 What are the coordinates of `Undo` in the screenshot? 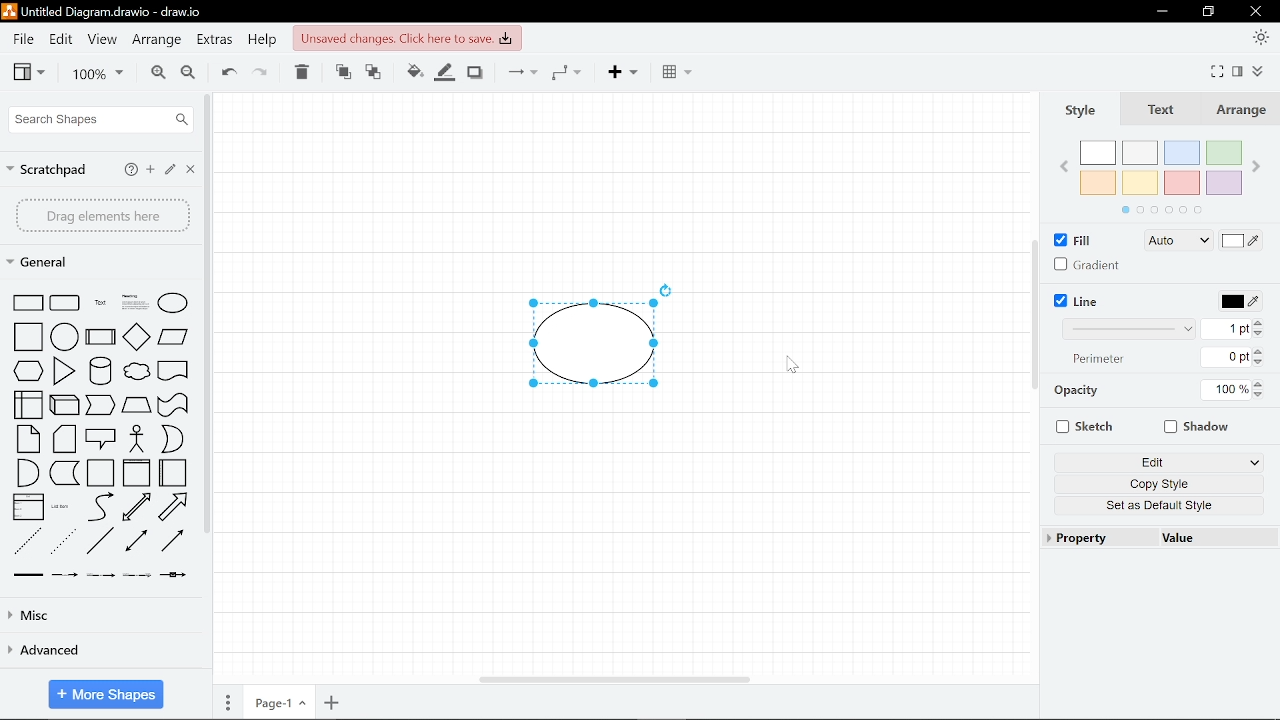 It's located at (226, 73).